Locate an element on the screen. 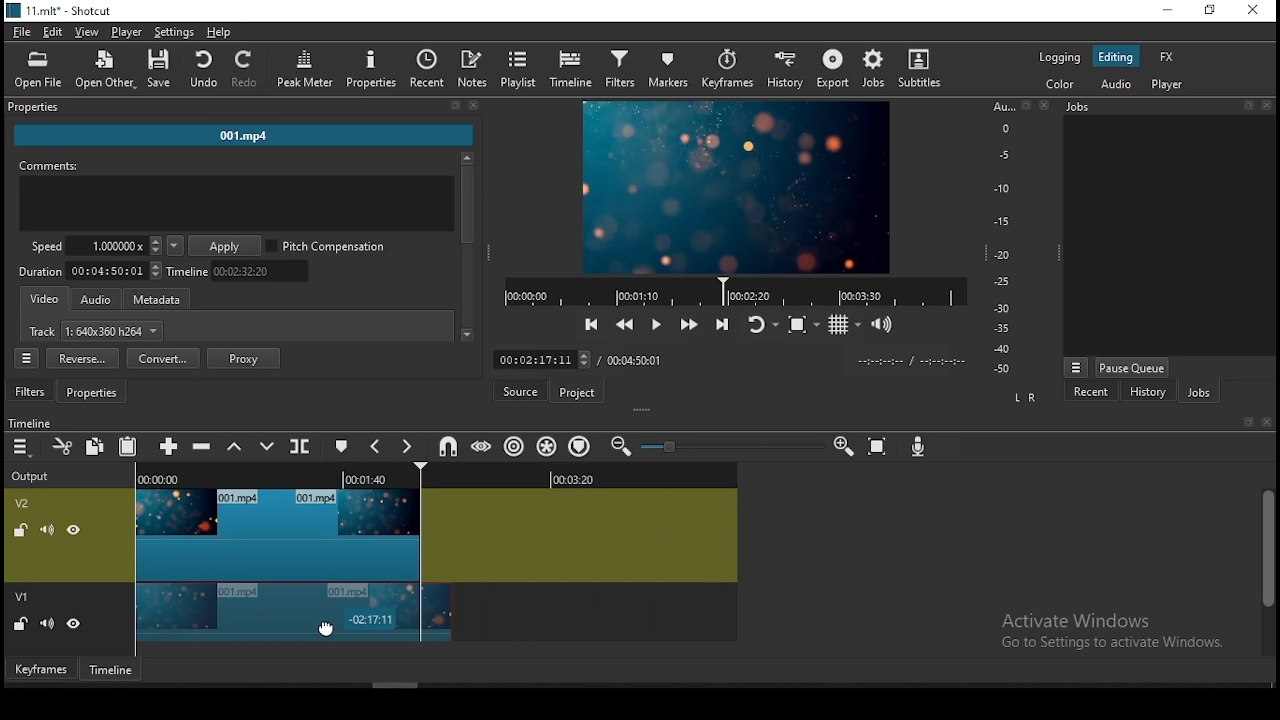  markers is located at coordinates (672, 70).